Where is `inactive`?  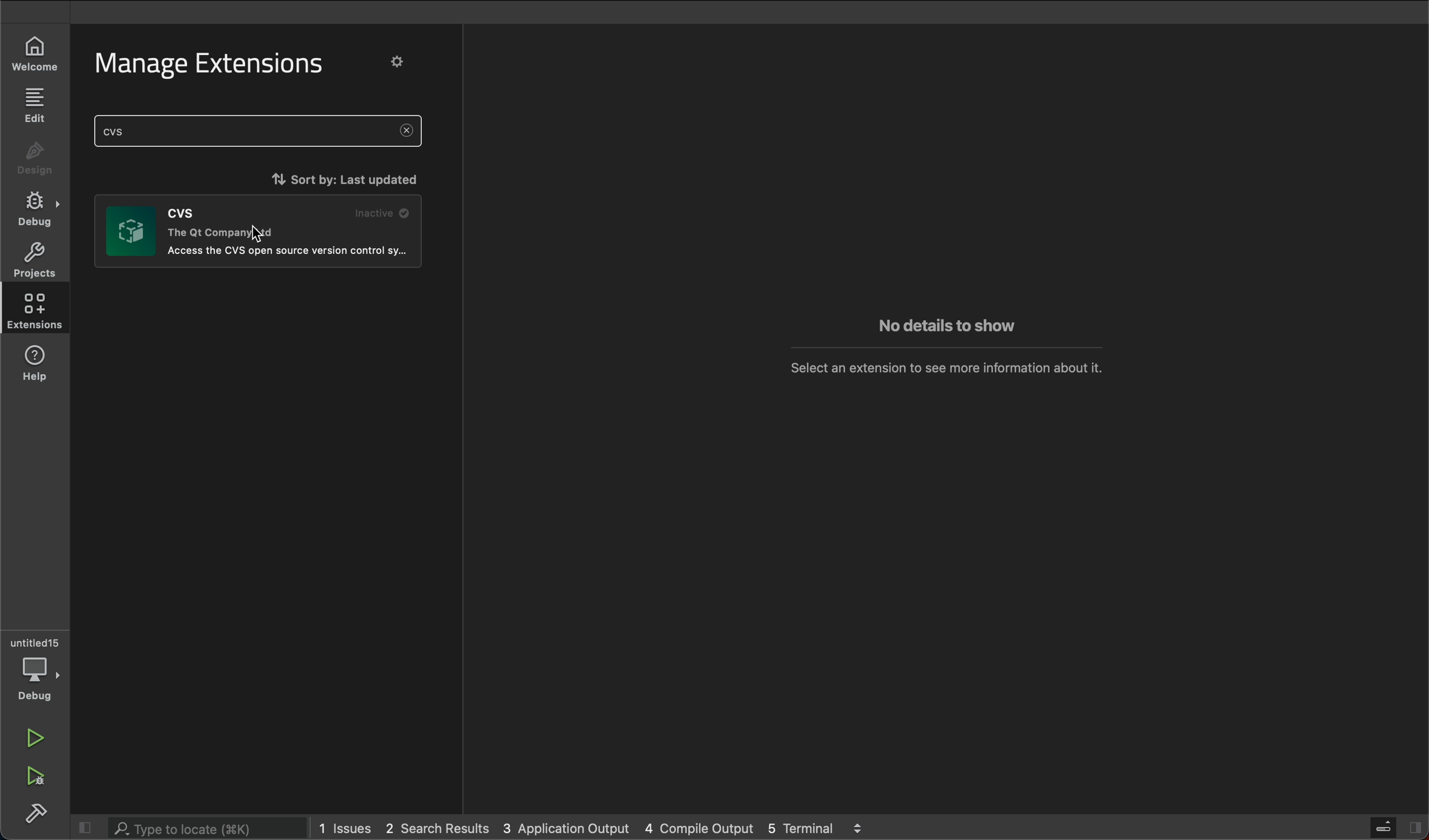 inactive is located at coordinates (384, 213).